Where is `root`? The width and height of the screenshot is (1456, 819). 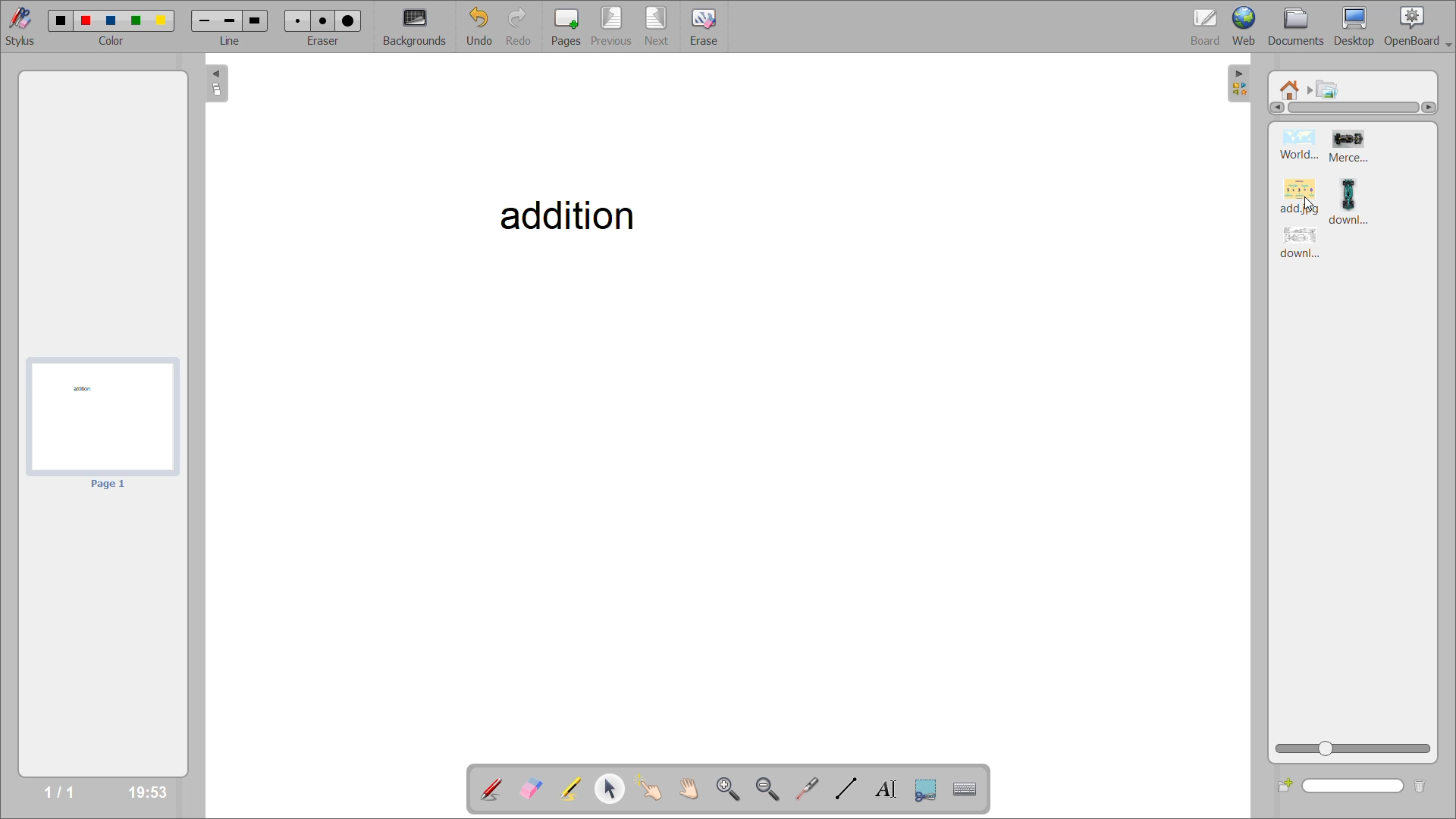
root is located at coordinates (1288, 89).